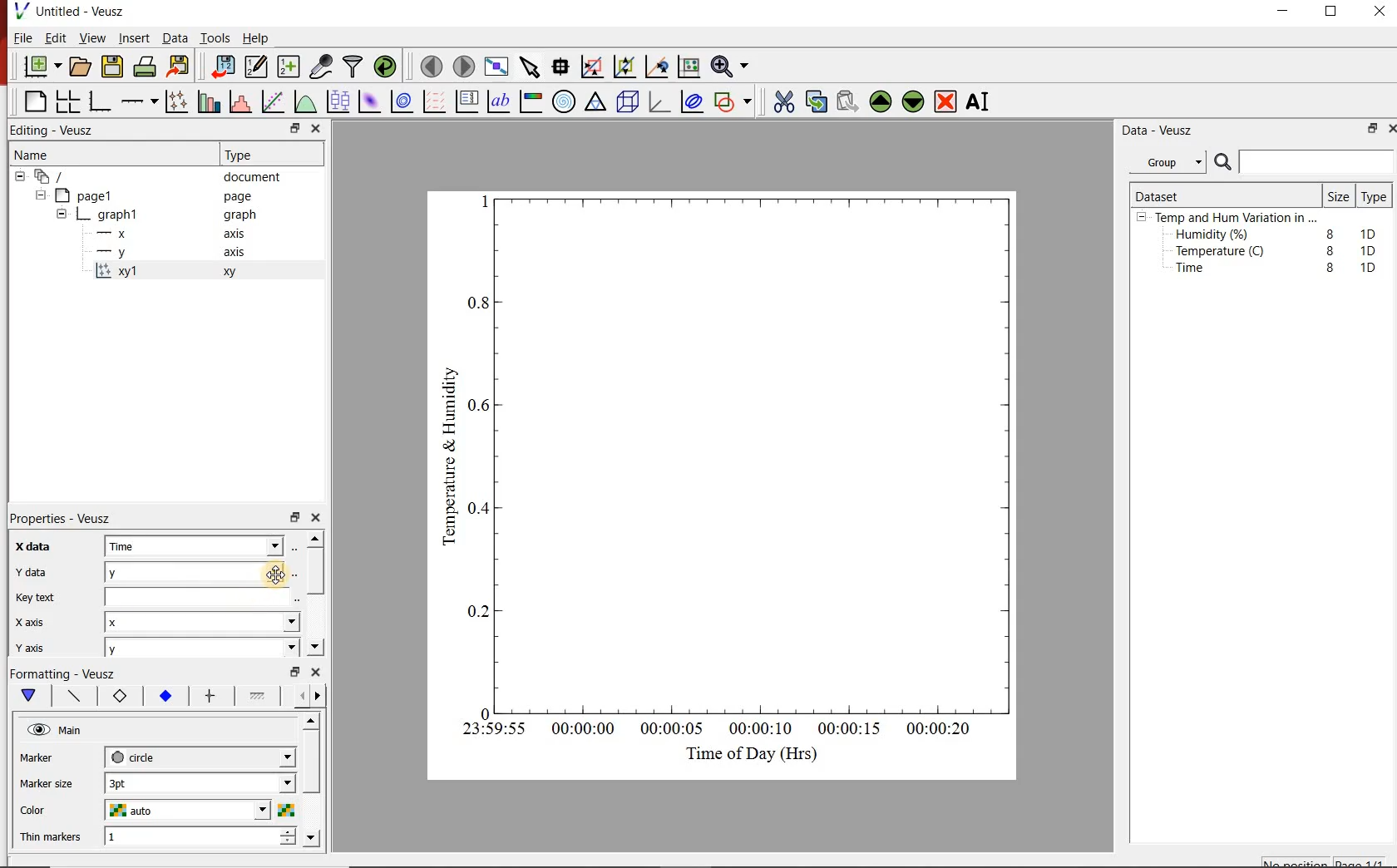 This screenshot has width=1397, height=868. What do you see at coordinates (243, 101) in the screenshot?
I see `histogram of a dataset` at bounding box center [243, 101].